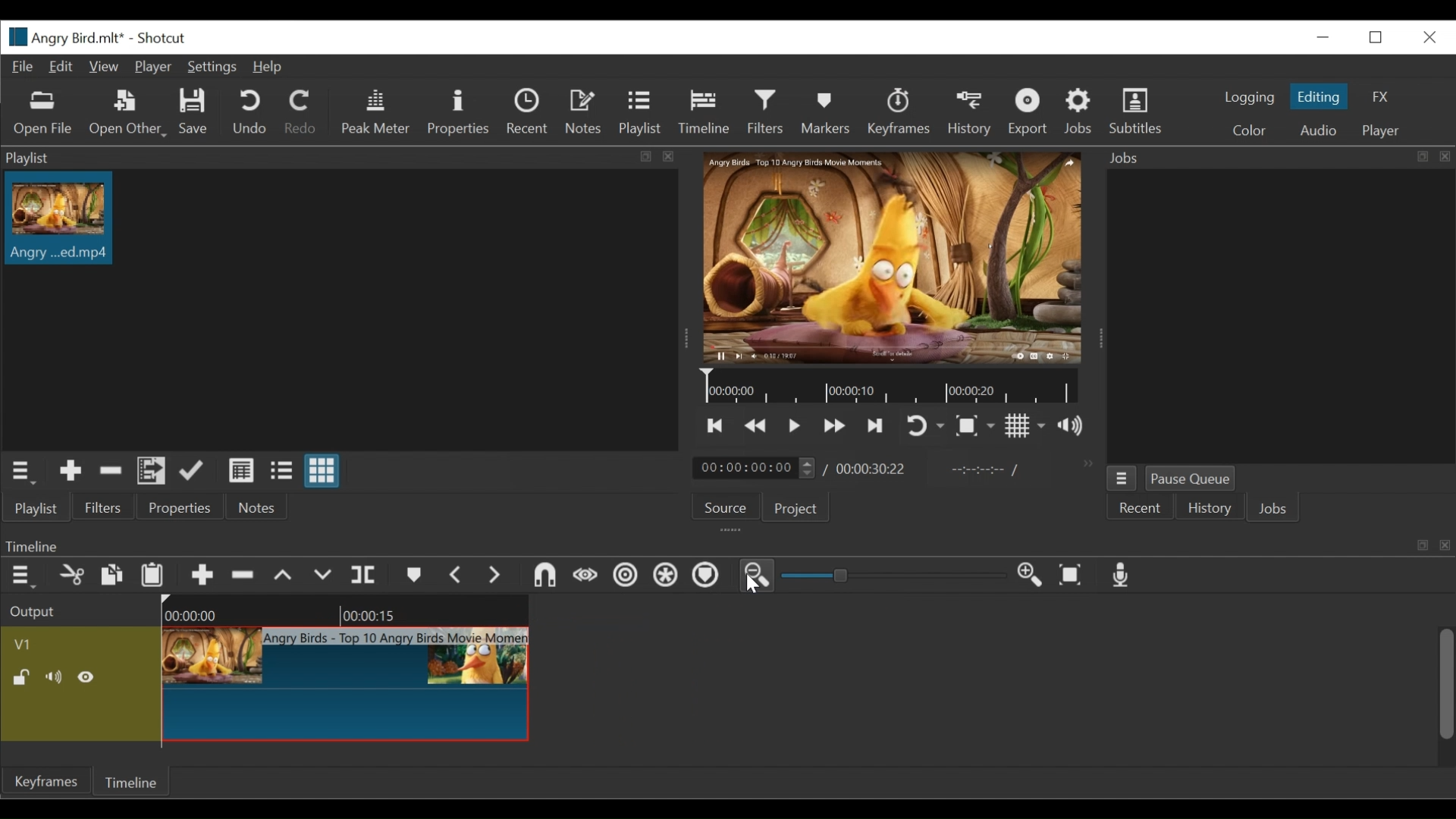 This screenshot has width=1456, height=819. I want to click on Source, so click(725, 507).